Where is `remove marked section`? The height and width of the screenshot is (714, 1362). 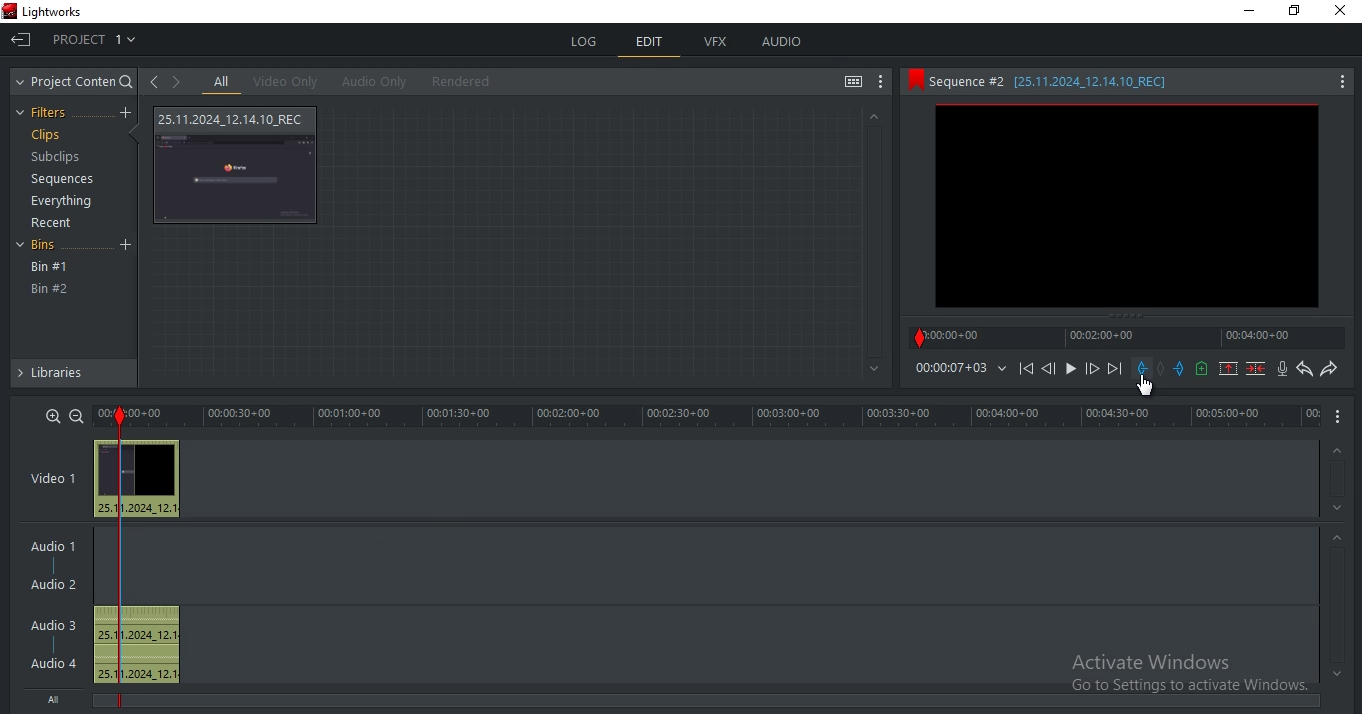 remove marked section is located at coordinates (1229, 368).